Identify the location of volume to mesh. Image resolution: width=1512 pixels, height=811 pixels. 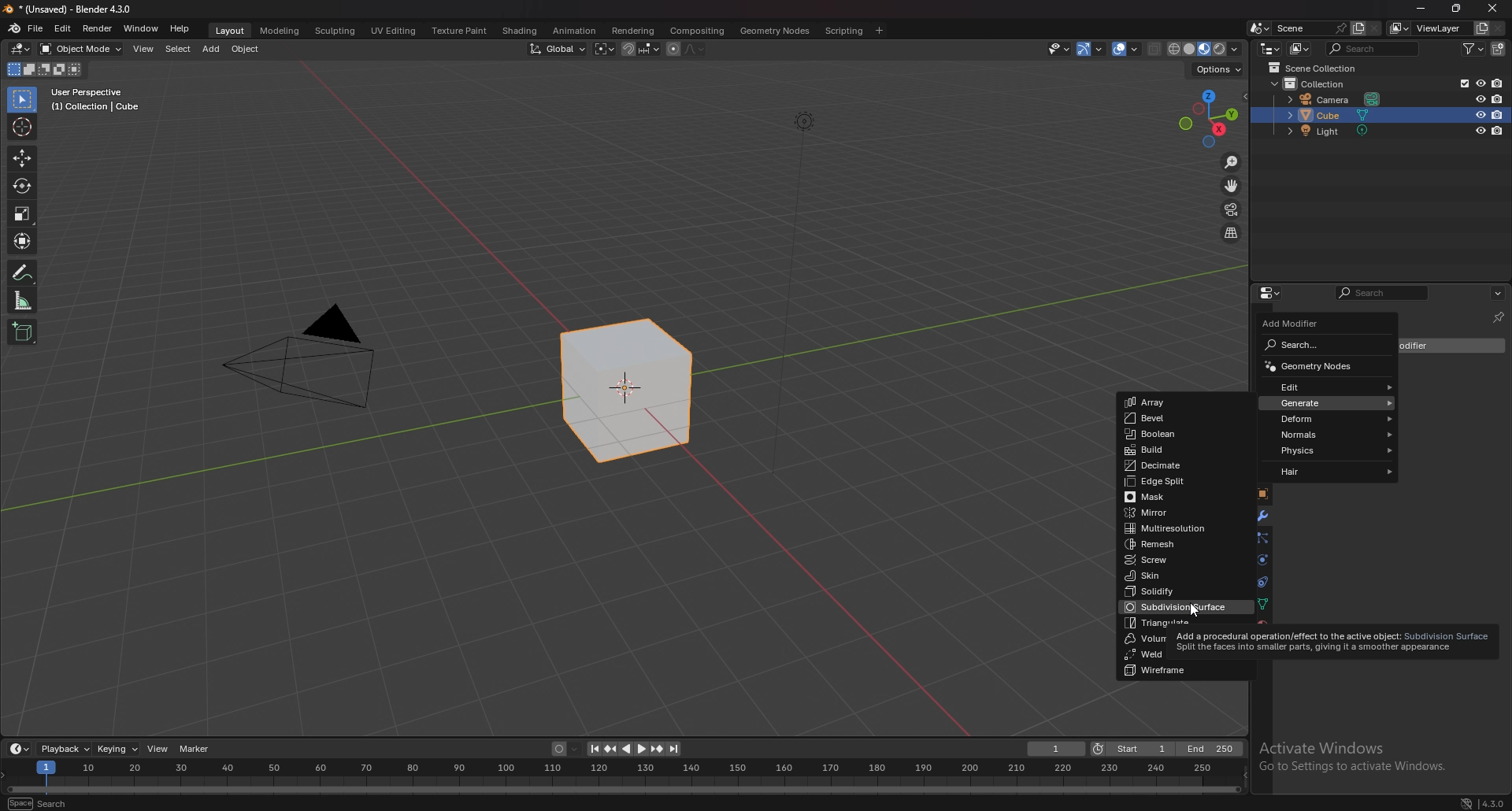
(1142, 639).